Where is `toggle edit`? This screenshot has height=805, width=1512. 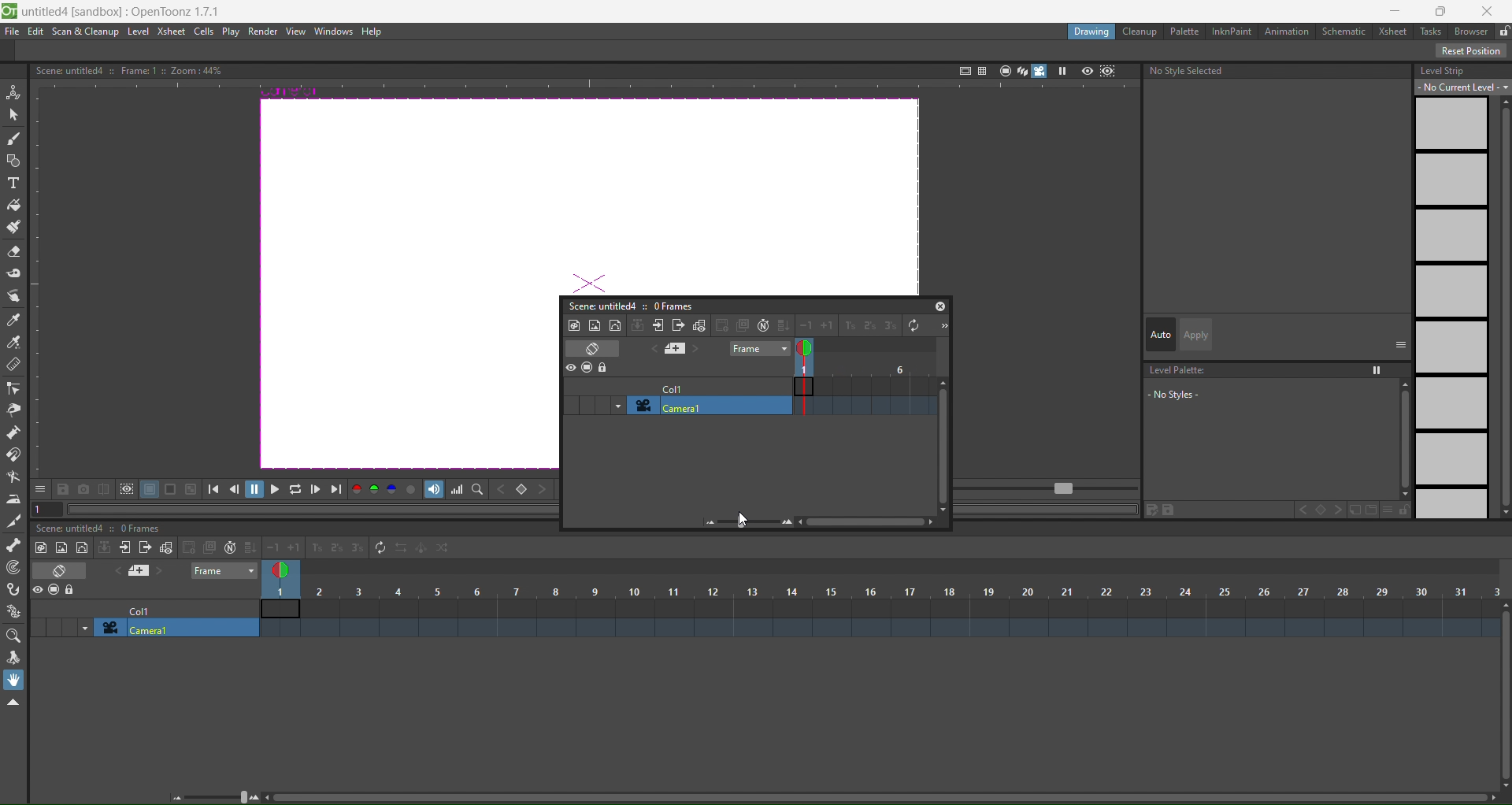 toggle edit is located at coordinates (700, 325).